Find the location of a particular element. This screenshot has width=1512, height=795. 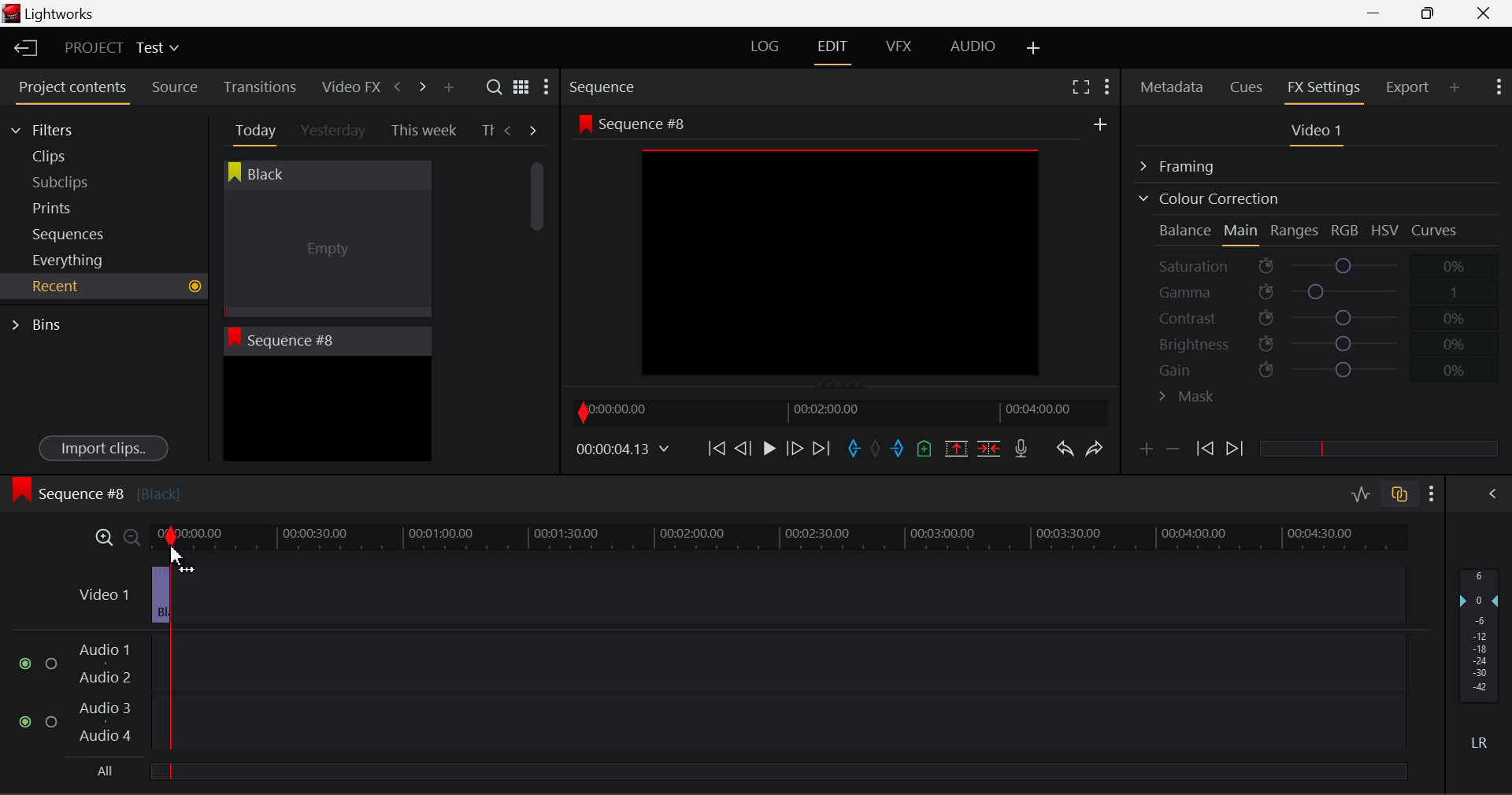

Video 1 Settings is located at coordinates (1319, 134).